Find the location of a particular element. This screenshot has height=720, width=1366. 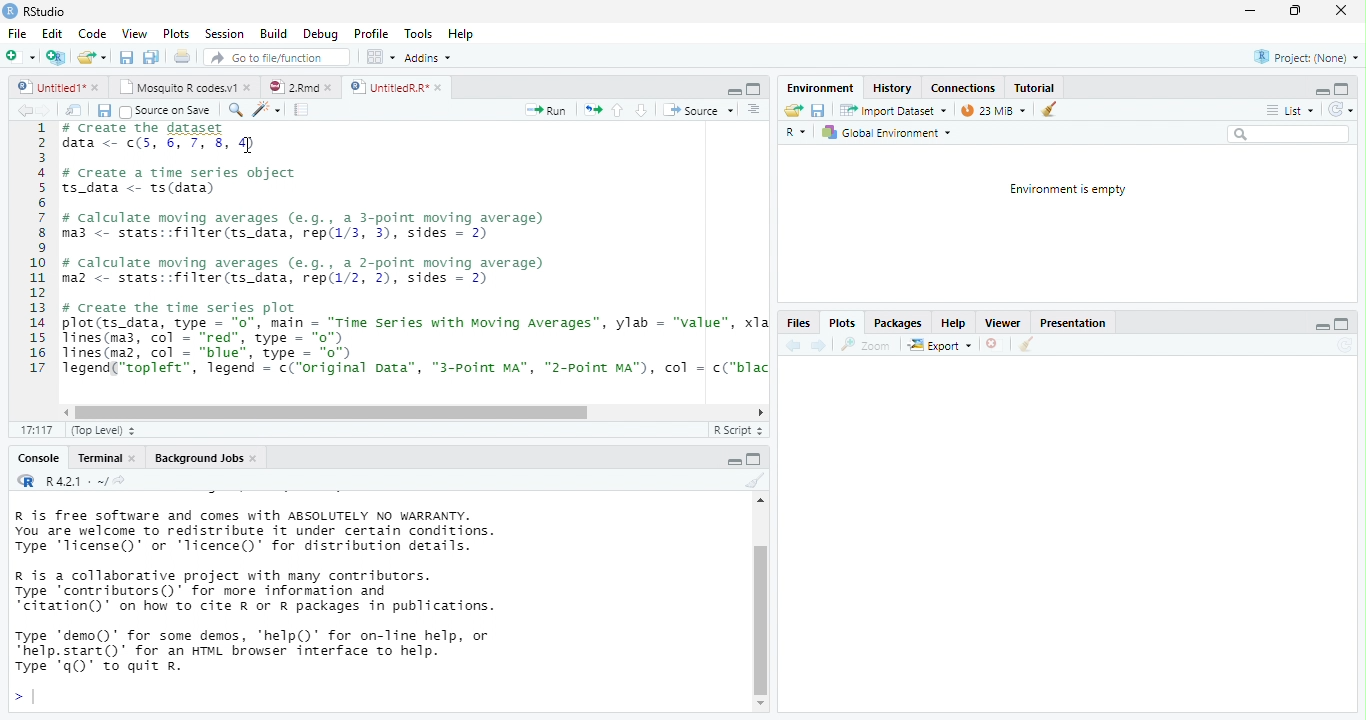

Plots is located at coordinates (177, 34).